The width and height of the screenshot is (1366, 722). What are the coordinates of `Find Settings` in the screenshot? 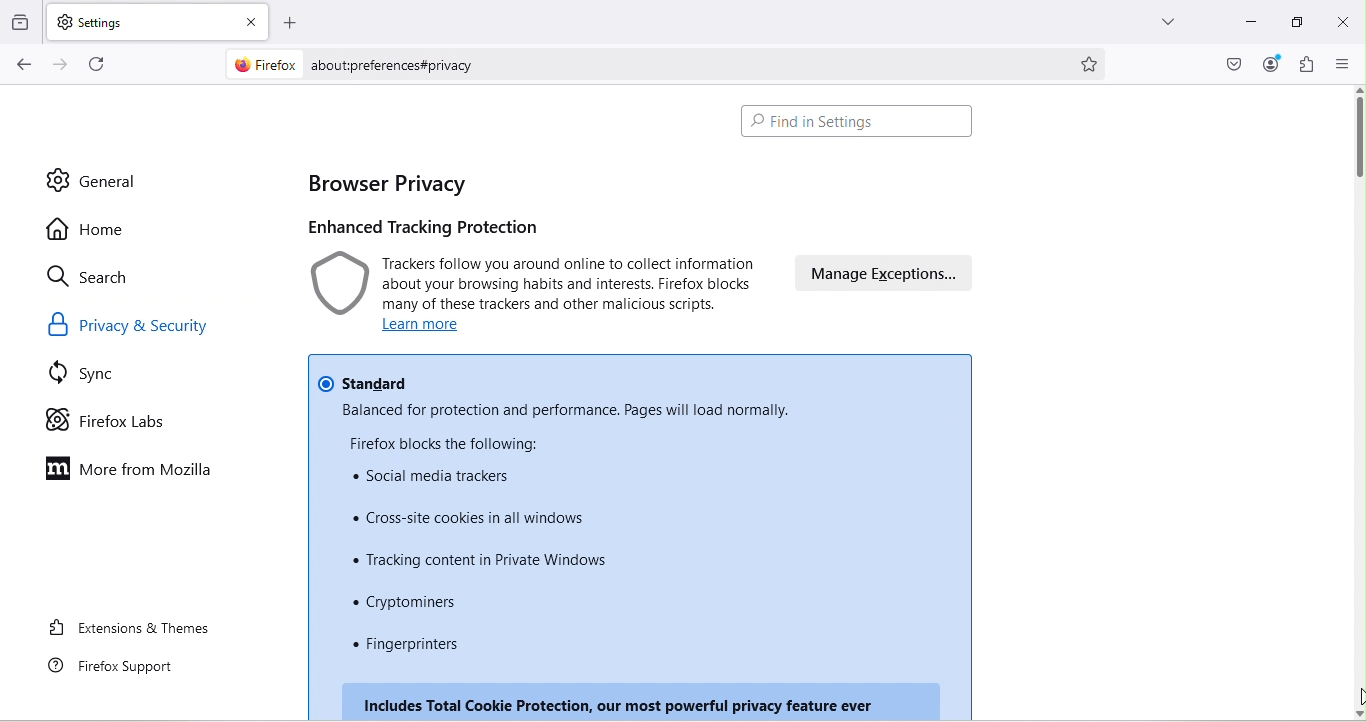 It's located at (861, 124).